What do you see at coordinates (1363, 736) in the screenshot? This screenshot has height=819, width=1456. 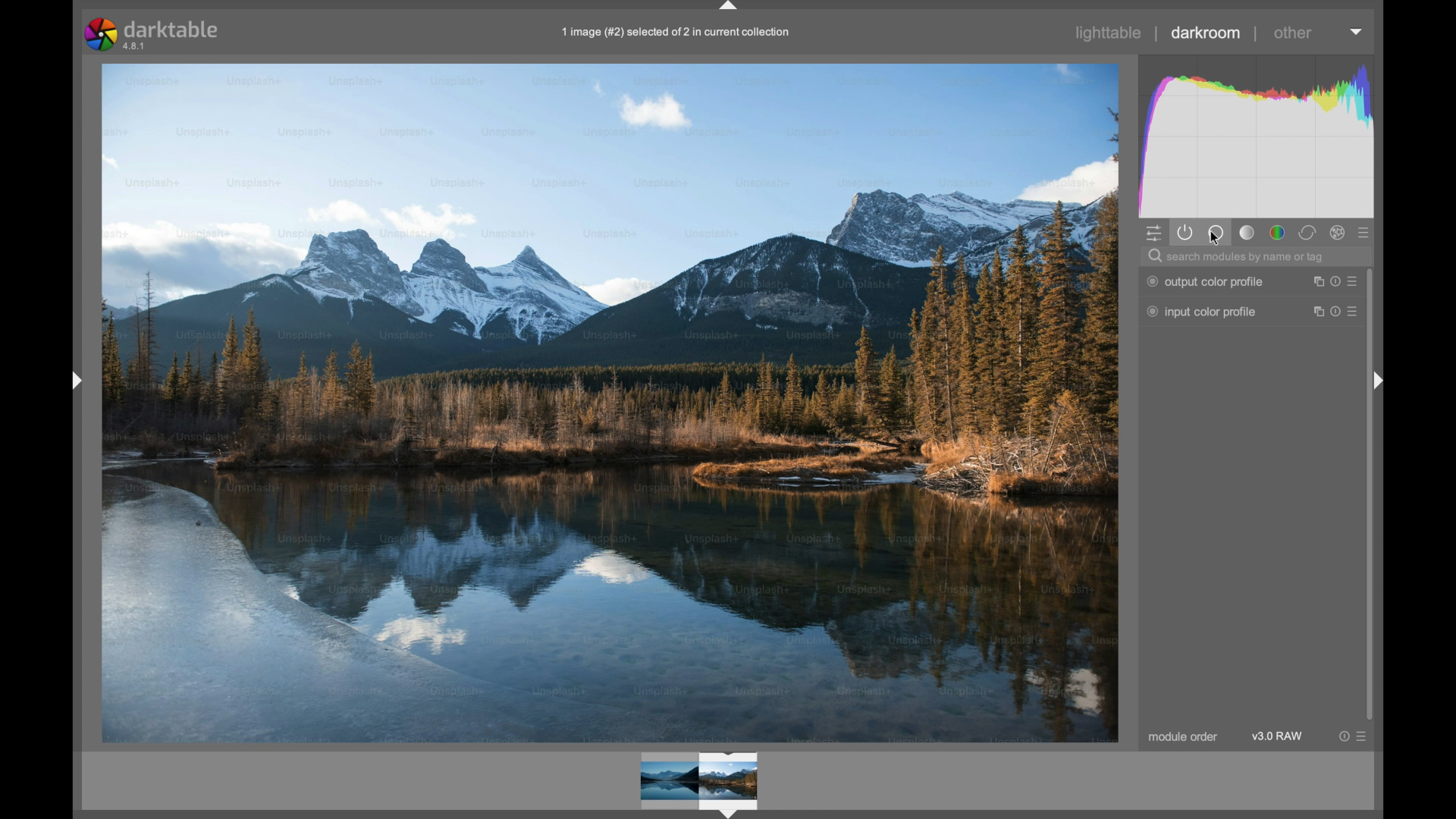 I see `presets` at bounding box center [1363, 736].